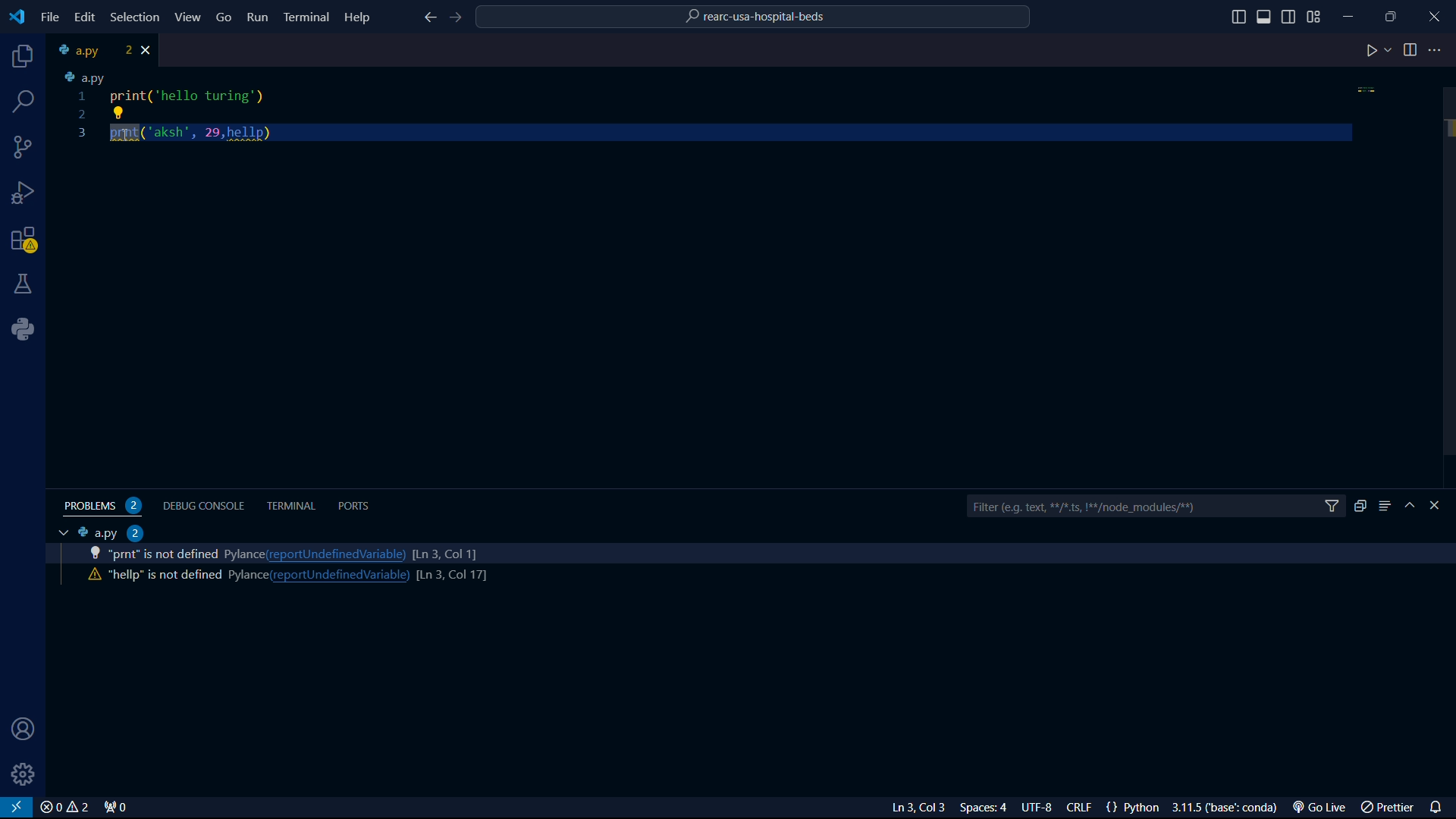 The height and width of the screenshot is (819, 1456). I want to click on reportundefinedvariable, so click(336, 554).